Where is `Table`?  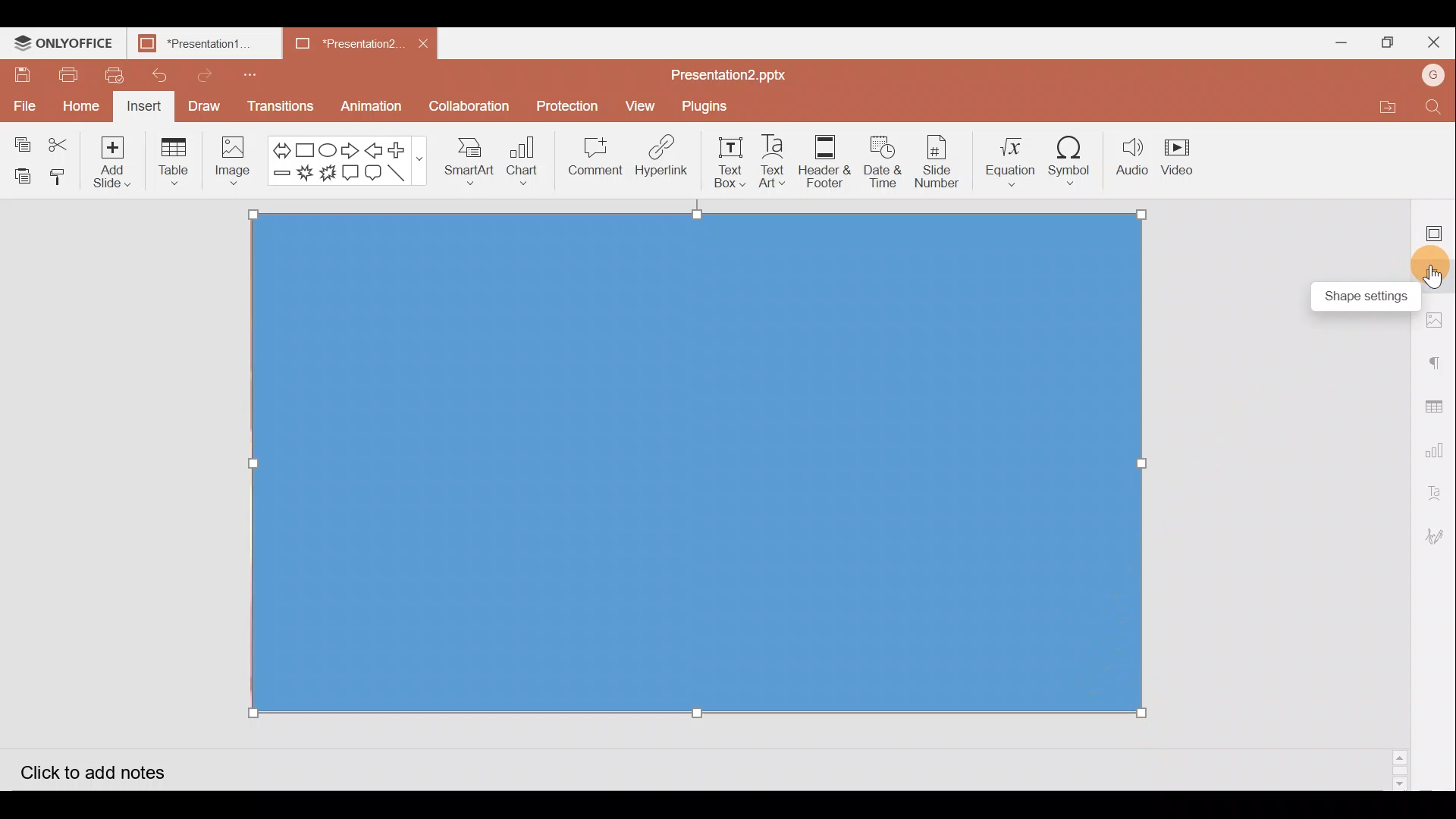 Table is located at coordinates (177, 160).